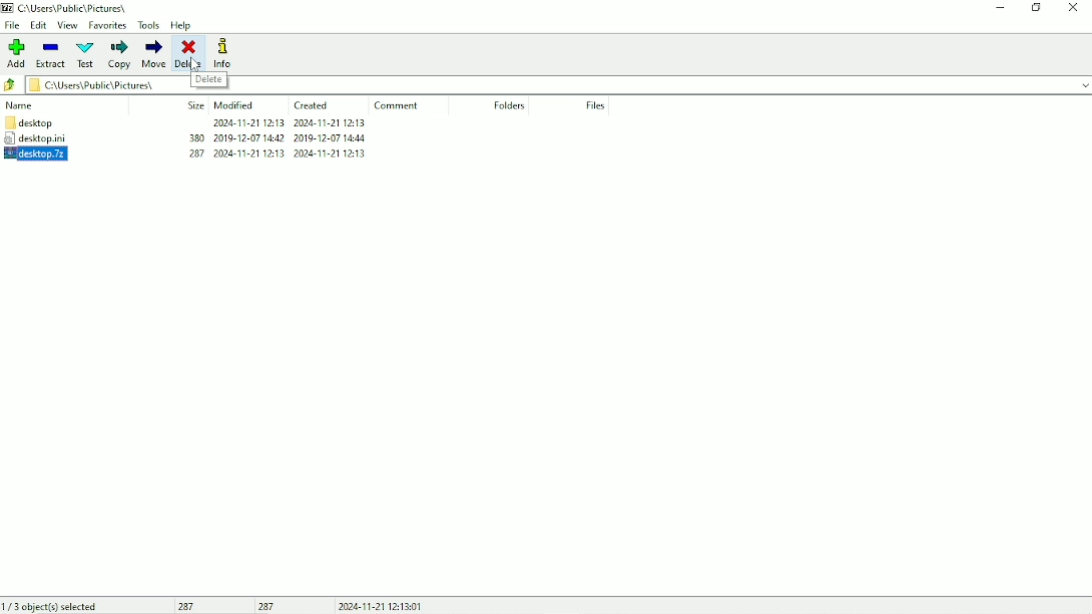 This screenshot has width=1092, height=614. What do you see at coordinates (267, 606) in the screenshot?
I see `287` at bounding box center [267, 606].